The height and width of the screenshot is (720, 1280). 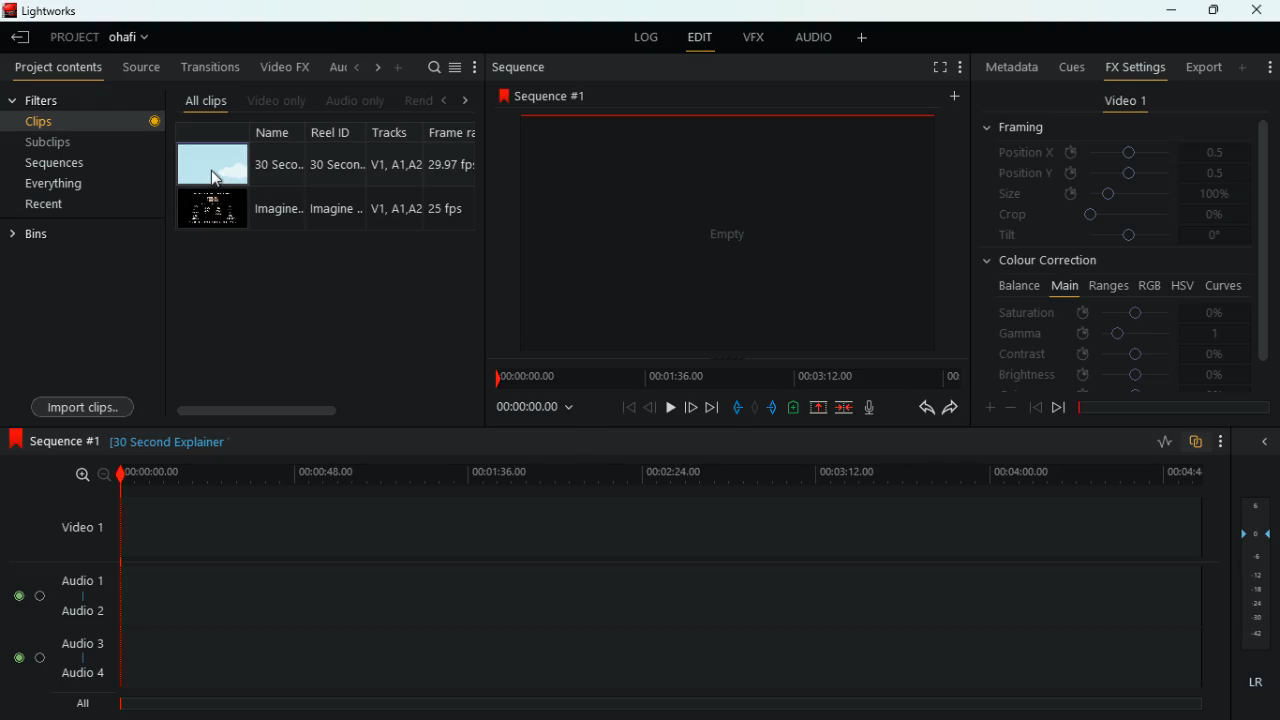 I want to click on fx settings, so click(x=1133, y=67).